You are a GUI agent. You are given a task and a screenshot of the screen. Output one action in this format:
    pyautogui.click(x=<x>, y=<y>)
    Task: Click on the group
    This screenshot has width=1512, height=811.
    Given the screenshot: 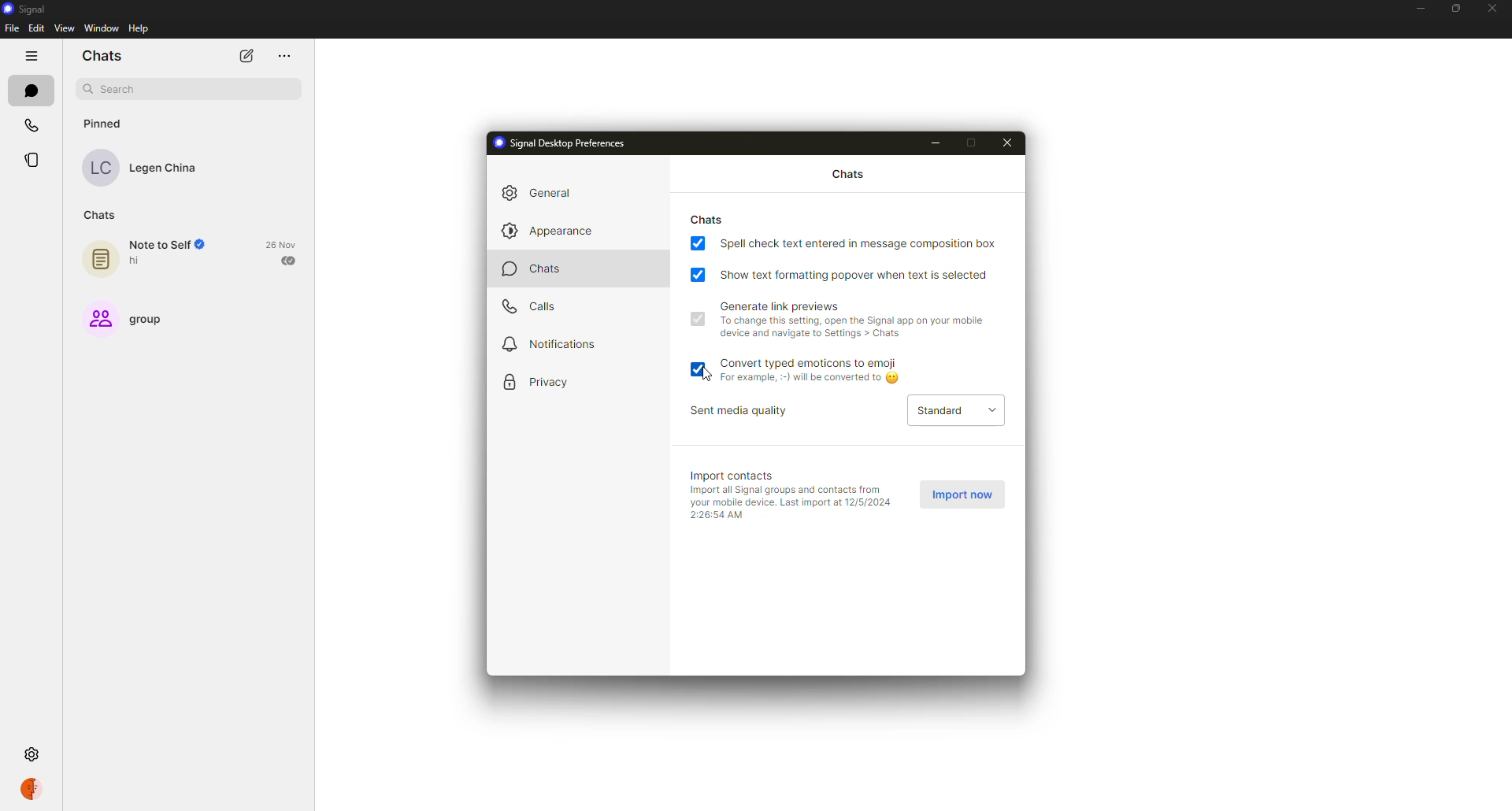 What is the action you would take?
    pyautogui.click(x=132, y=317)
    